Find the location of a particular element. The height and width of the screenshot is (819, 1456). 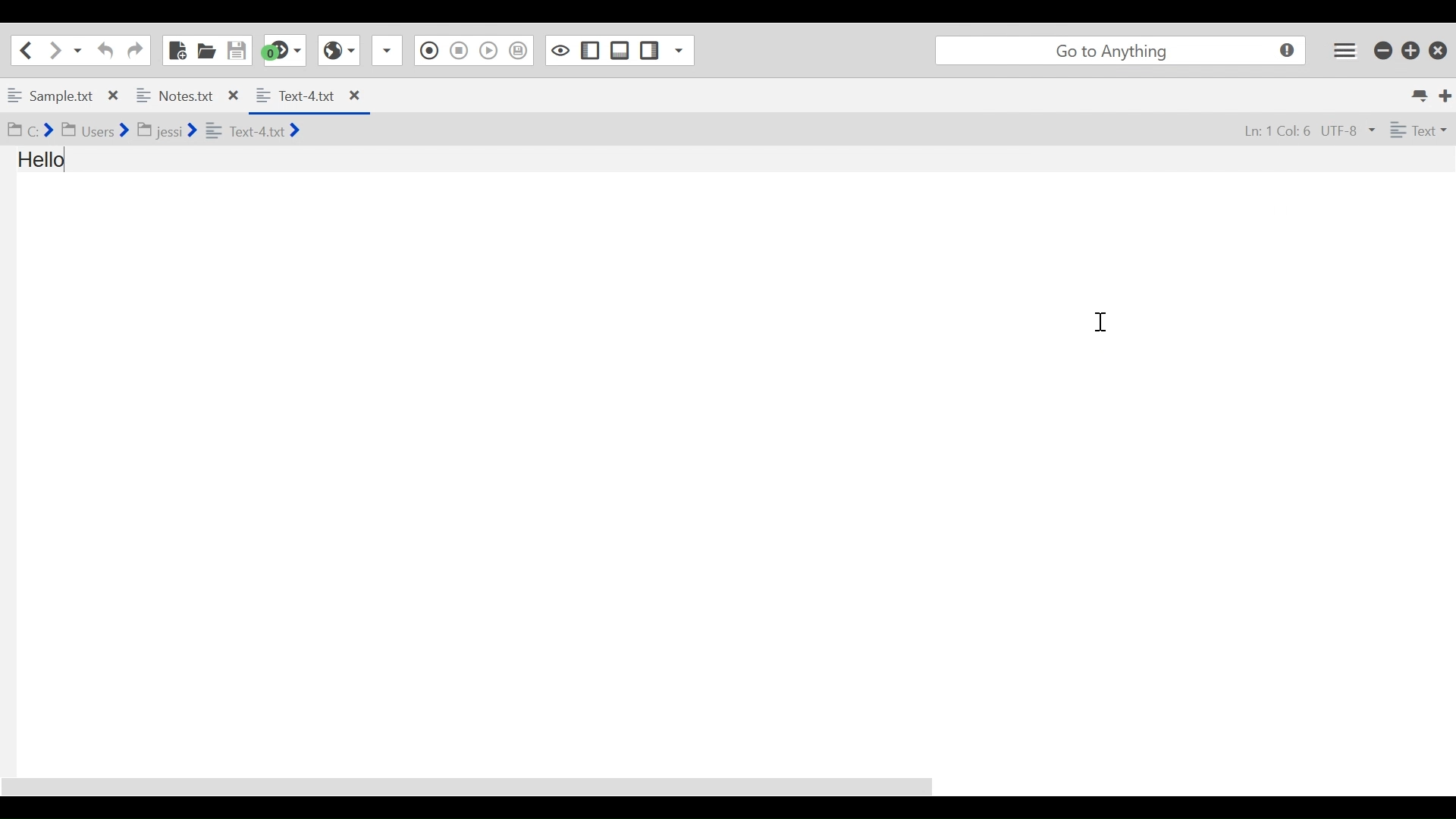

Stop Recording Macro is located at coordinates (458, 51).